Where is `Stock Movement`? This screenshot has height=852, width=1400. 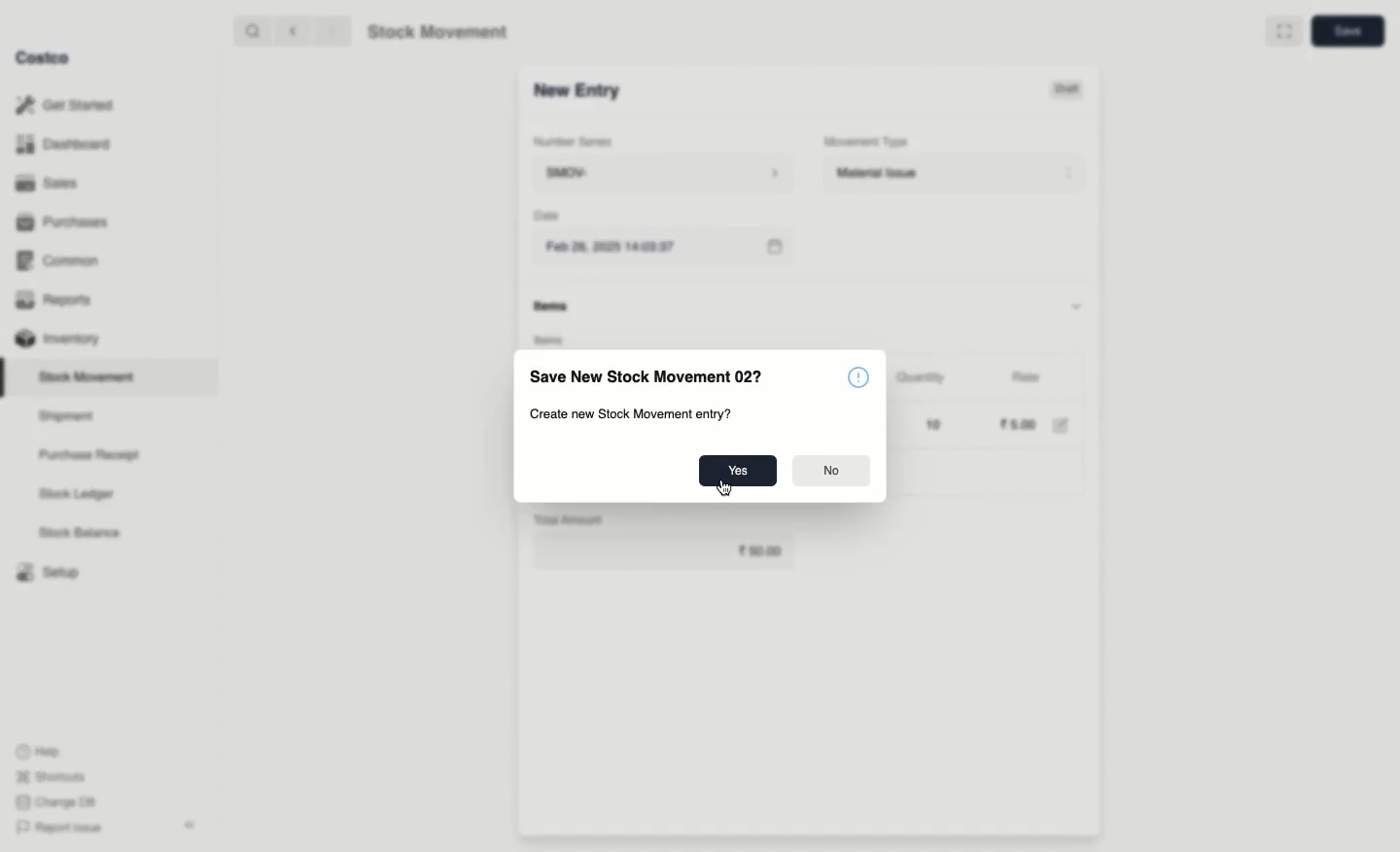 Stock Movement is located at coordinates (434, 32).